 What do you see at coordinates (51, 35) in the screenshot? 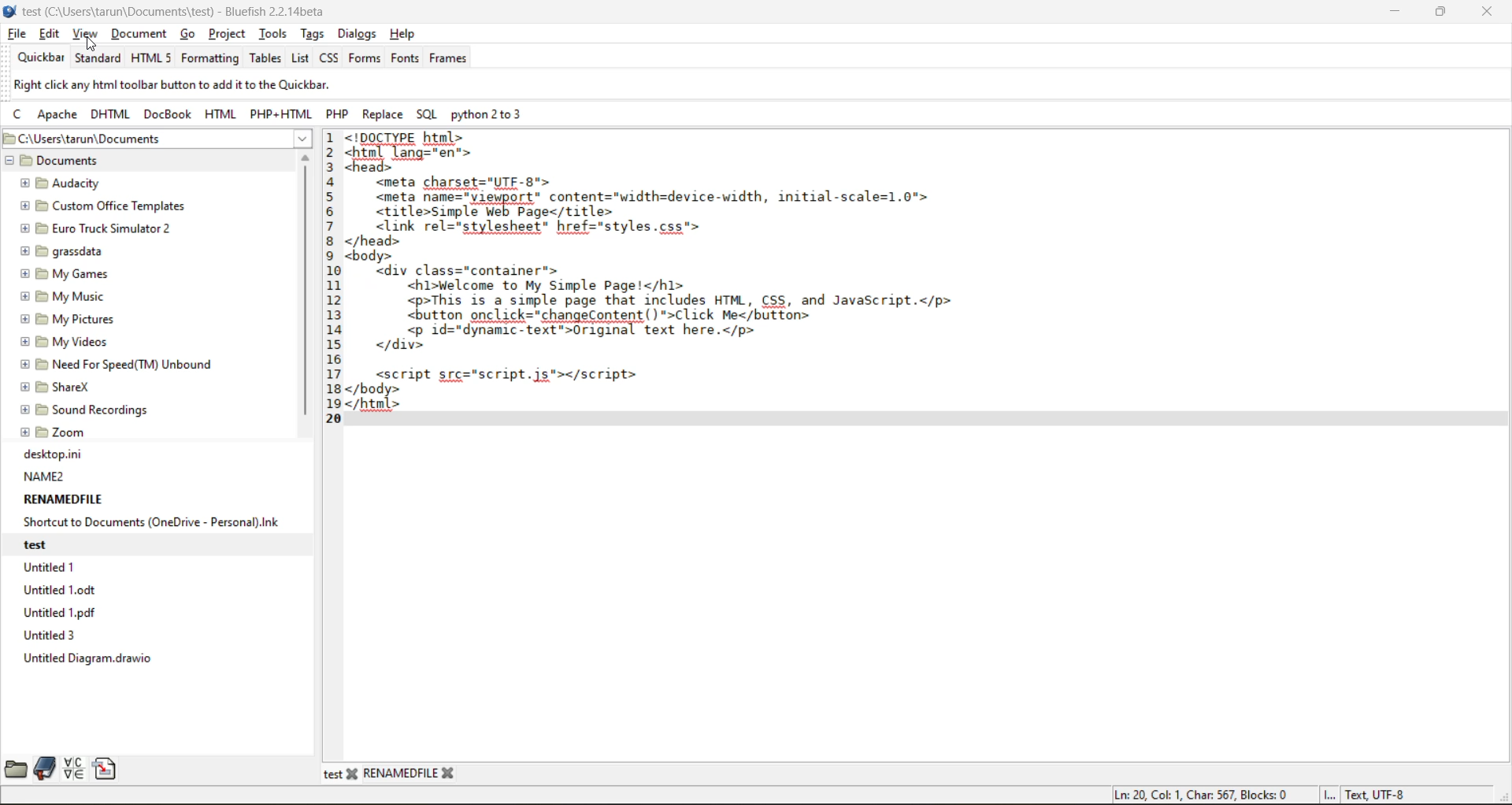
I see `edit` at bounding box center [51, 35].